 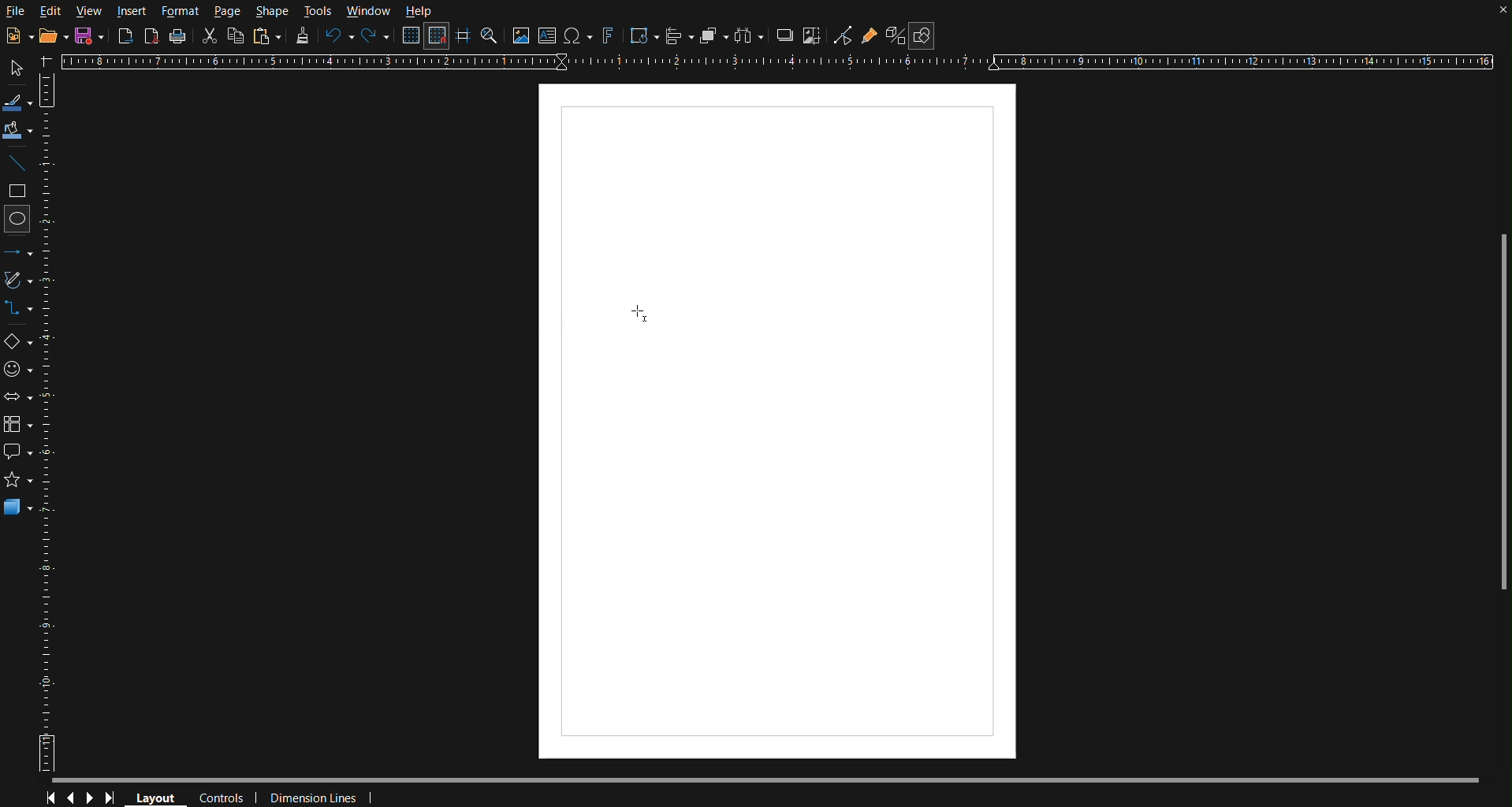 I want to click on Paste, so click(x=267, y=36).